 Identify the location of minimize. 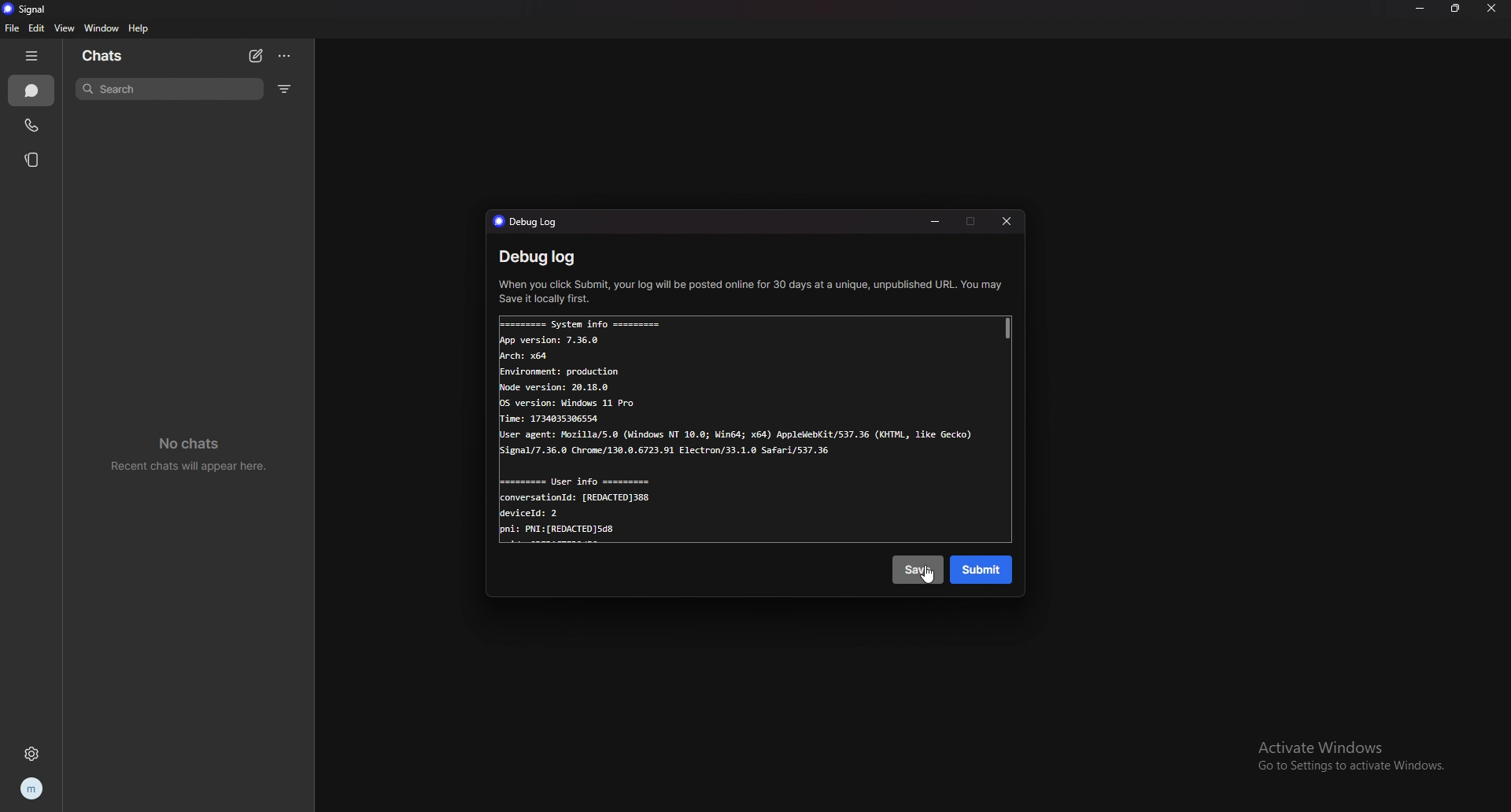
(1421, 8).